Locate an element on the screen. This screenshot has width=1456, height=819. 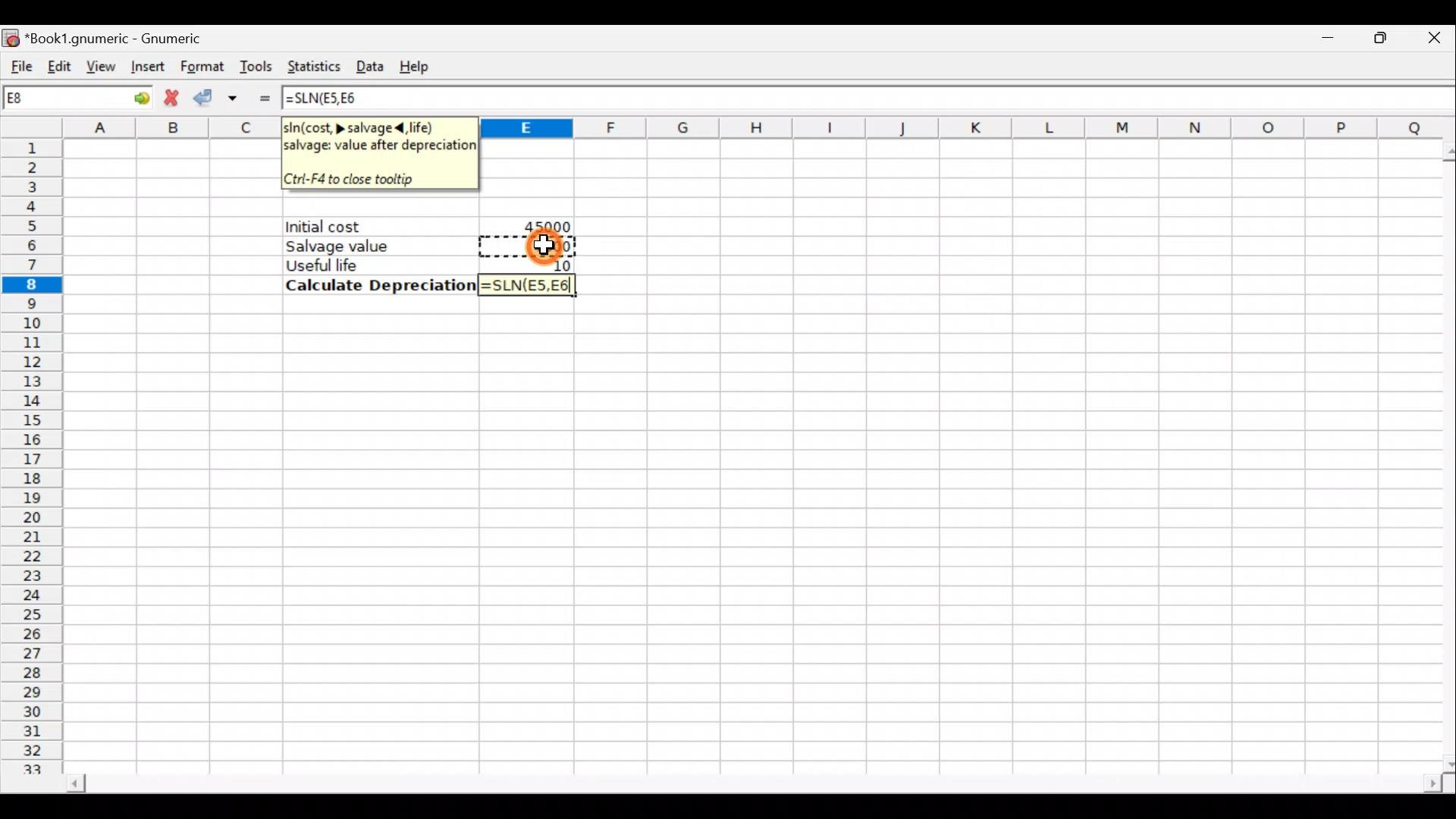
Data is located at coordinates (372, 64).